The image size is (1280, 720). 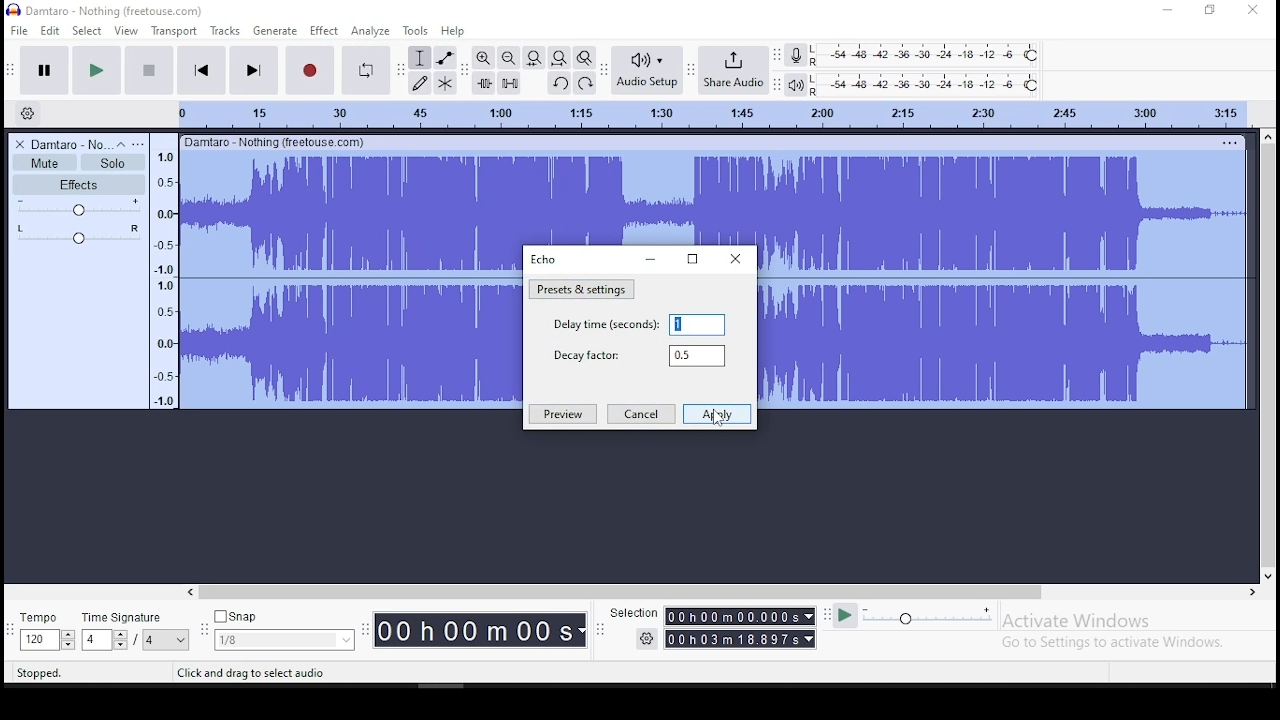 I want to click on vertical scrollbar, so click(x=1269, y=356).